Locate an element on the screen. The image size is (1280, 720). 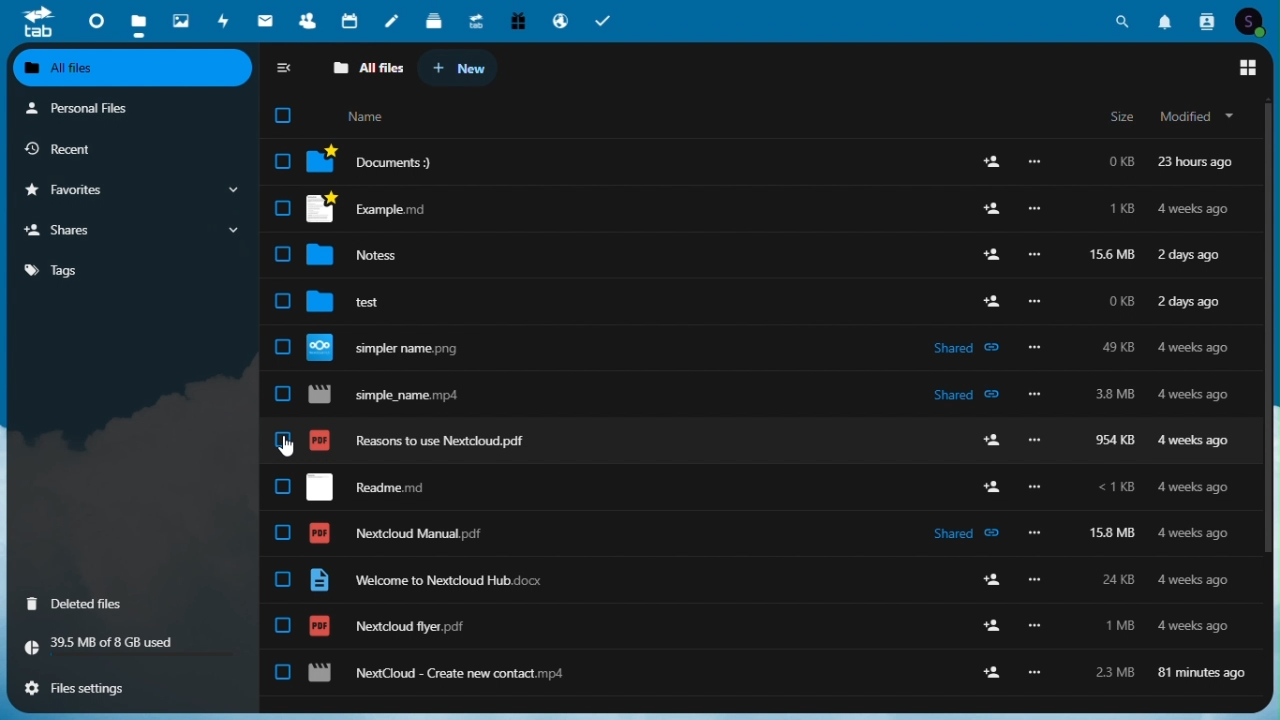
49 kb is located at coordinates (1117, 346).